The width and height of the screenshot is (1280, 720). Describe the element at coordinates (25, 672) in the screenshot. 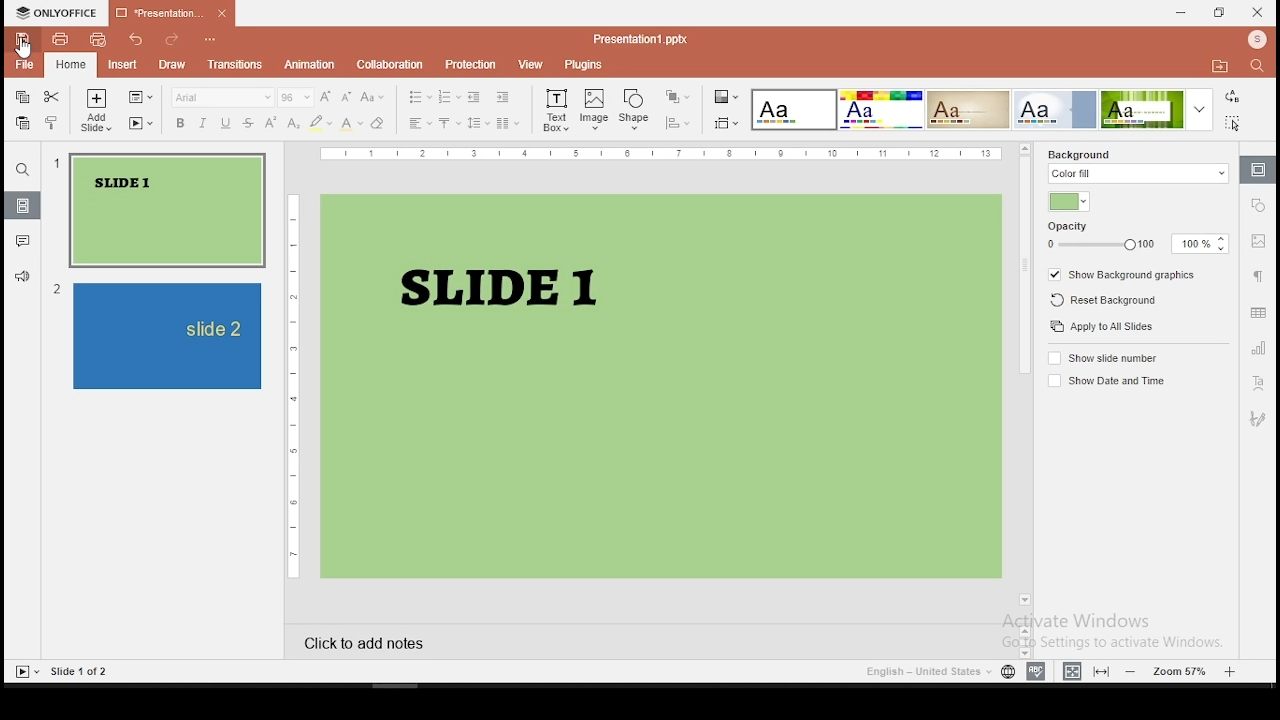

I see `start slide show` at that location.